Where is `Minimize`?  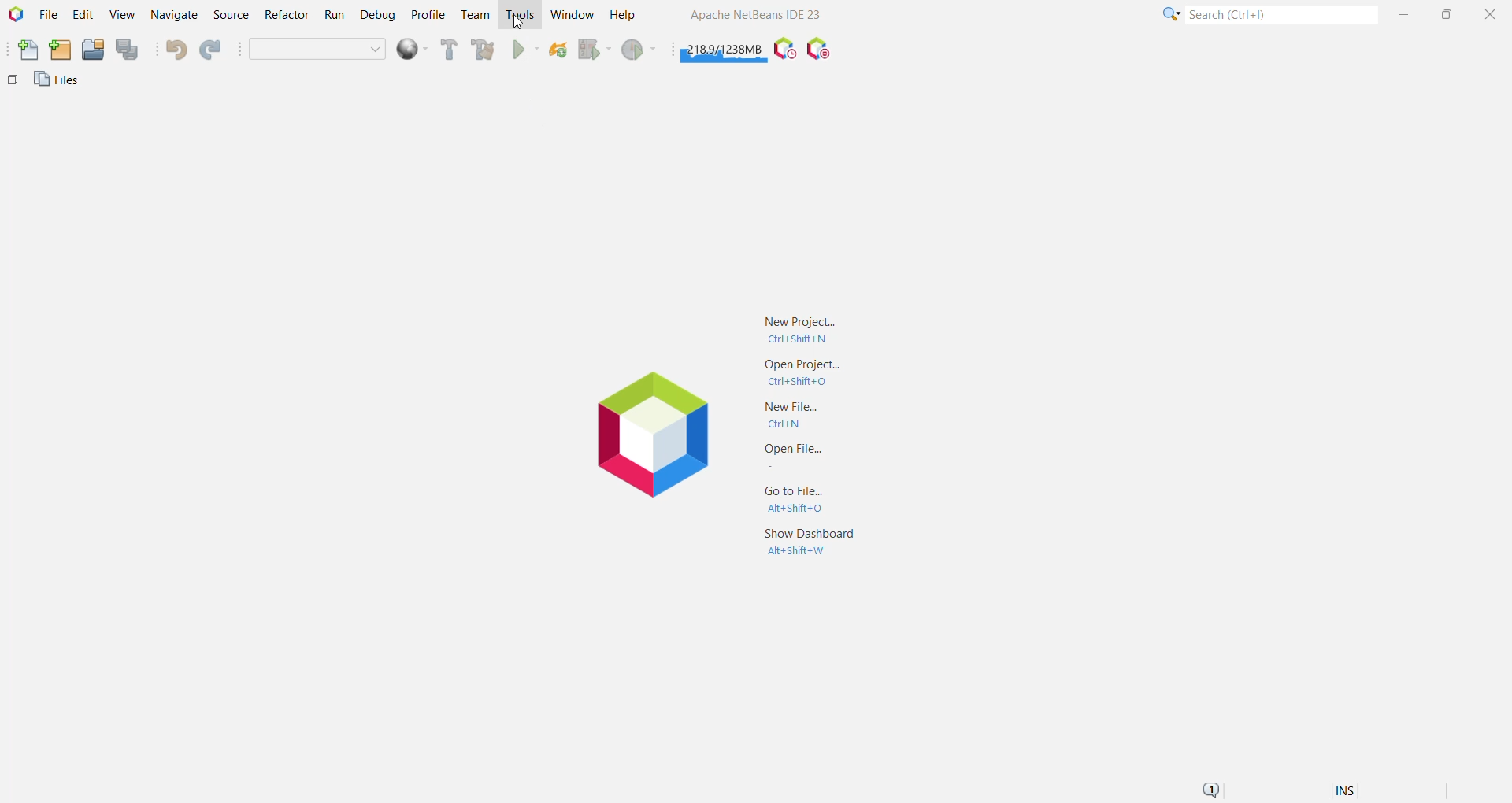
Minimize is located at coordinates (1406, 14).